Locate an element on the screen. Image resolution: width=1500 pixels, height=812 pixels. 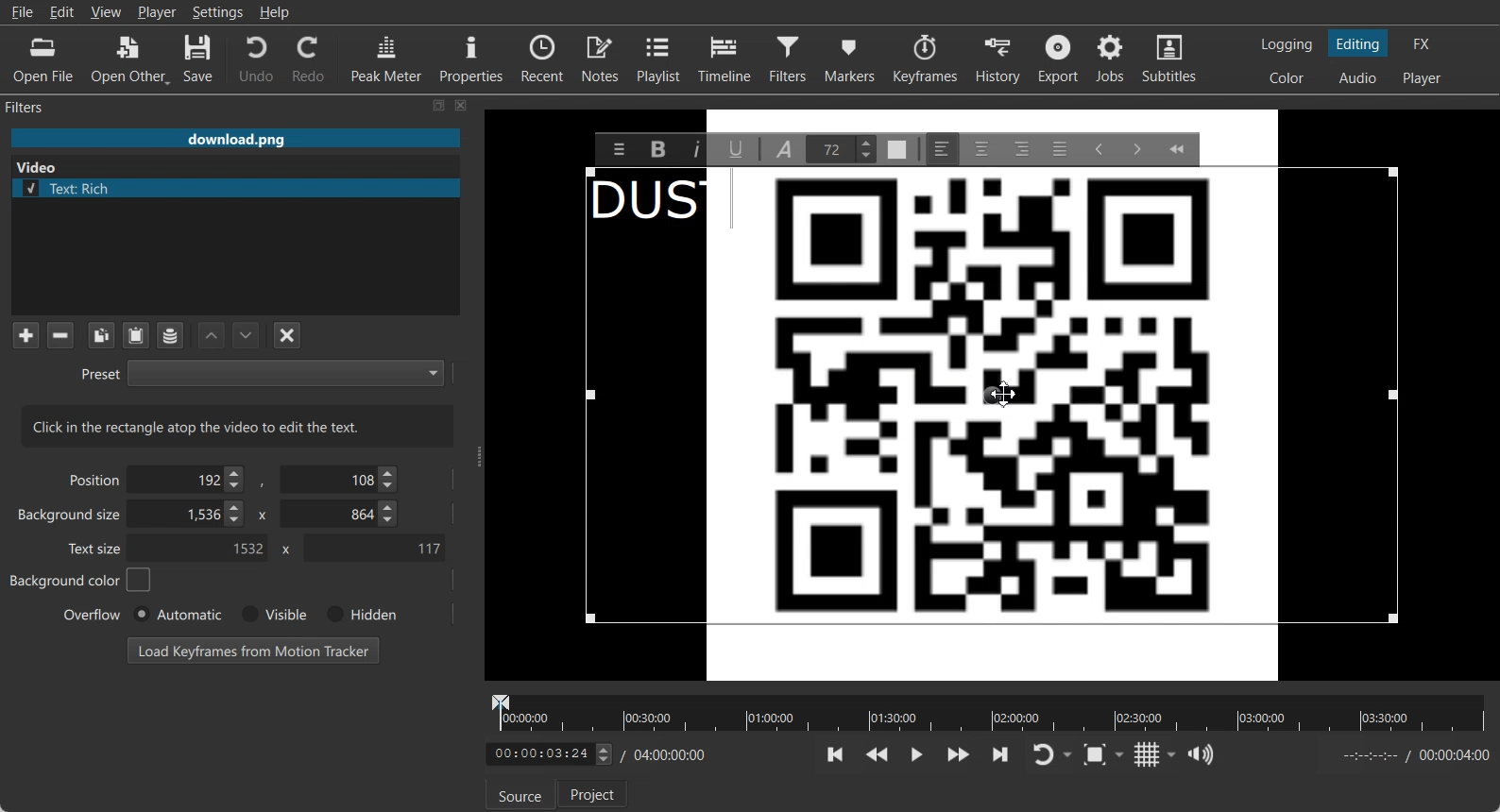
x is located at coordinates (260, 514).